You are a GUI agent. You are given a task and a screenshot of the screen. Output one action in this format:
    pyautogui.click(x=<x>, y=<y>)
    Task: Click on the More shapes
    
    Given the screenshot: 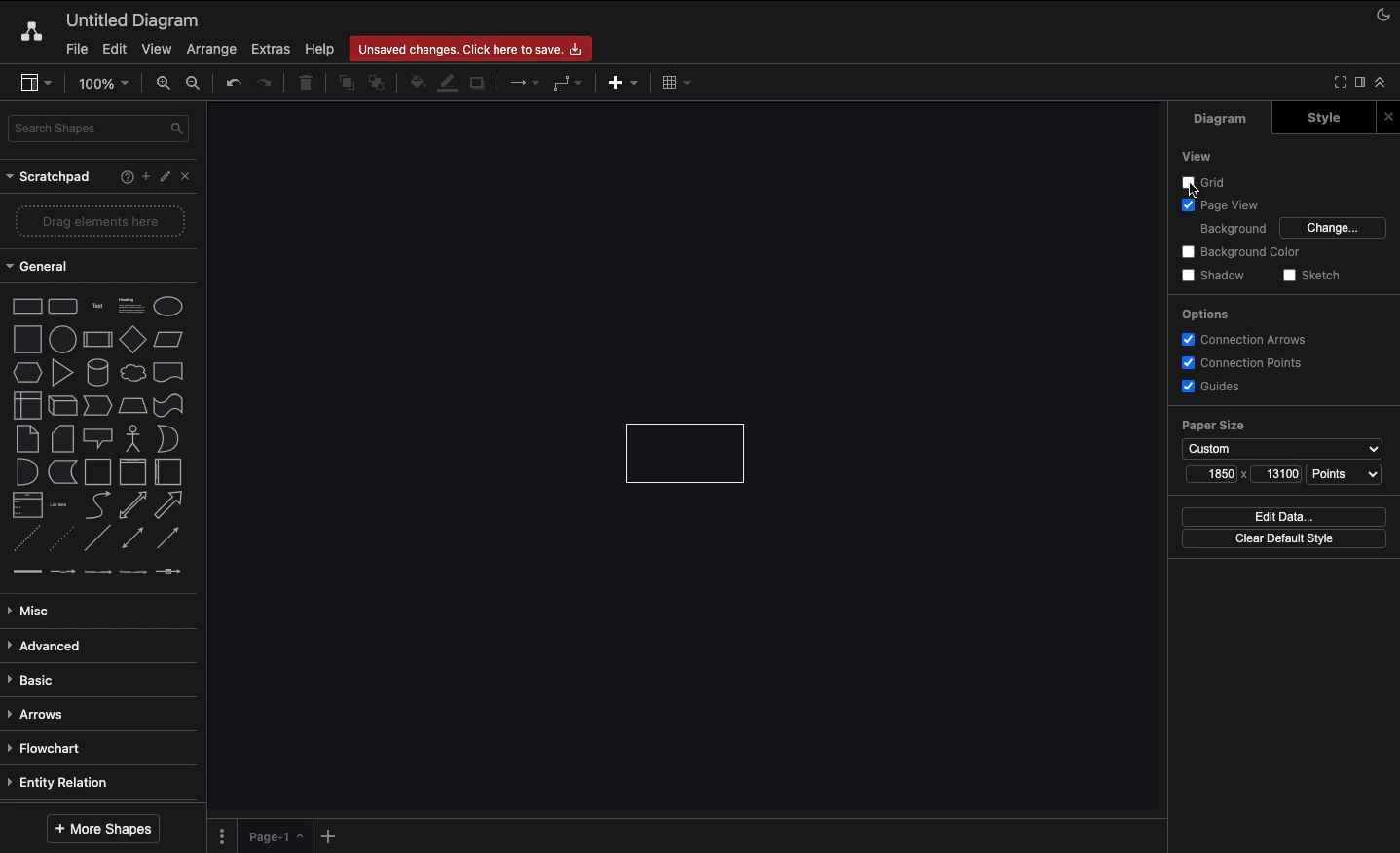 What is the action you would take?
    pyautogui.click(x=103, y=829)
    